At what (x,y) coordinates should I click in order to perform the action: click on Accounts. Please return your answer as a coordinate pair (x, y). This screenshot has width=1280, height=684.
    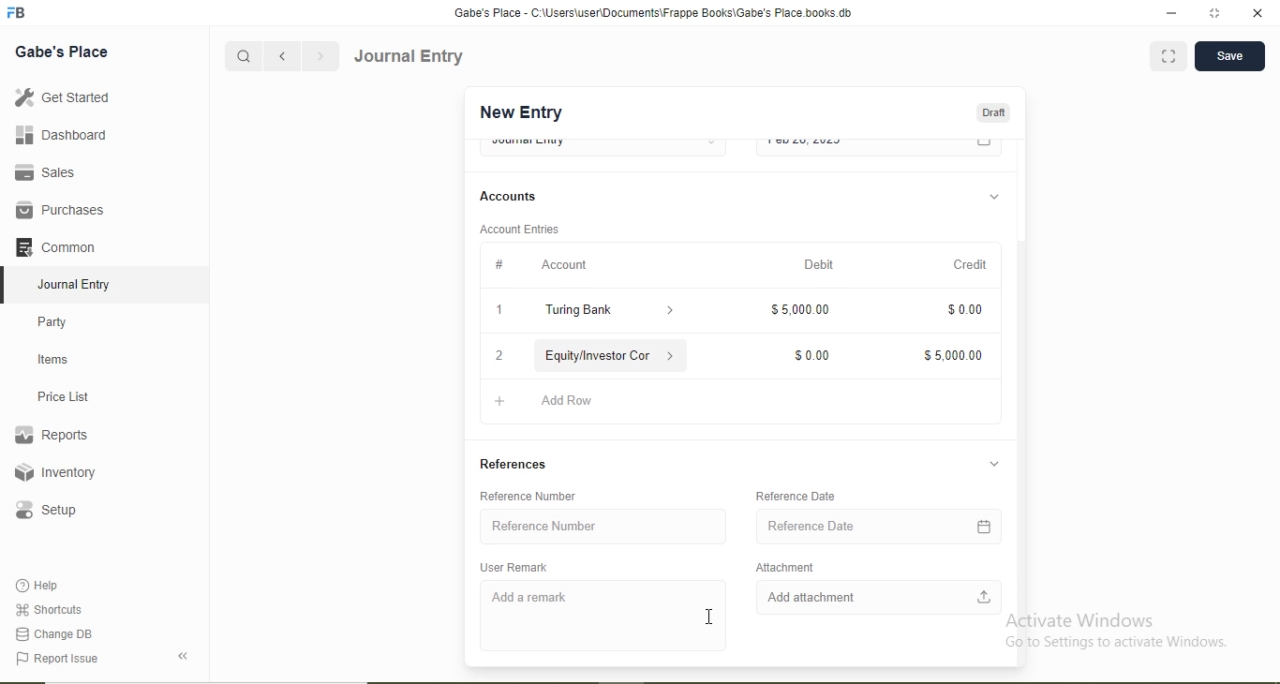
    Looking at the image, I should click on (508, 196).